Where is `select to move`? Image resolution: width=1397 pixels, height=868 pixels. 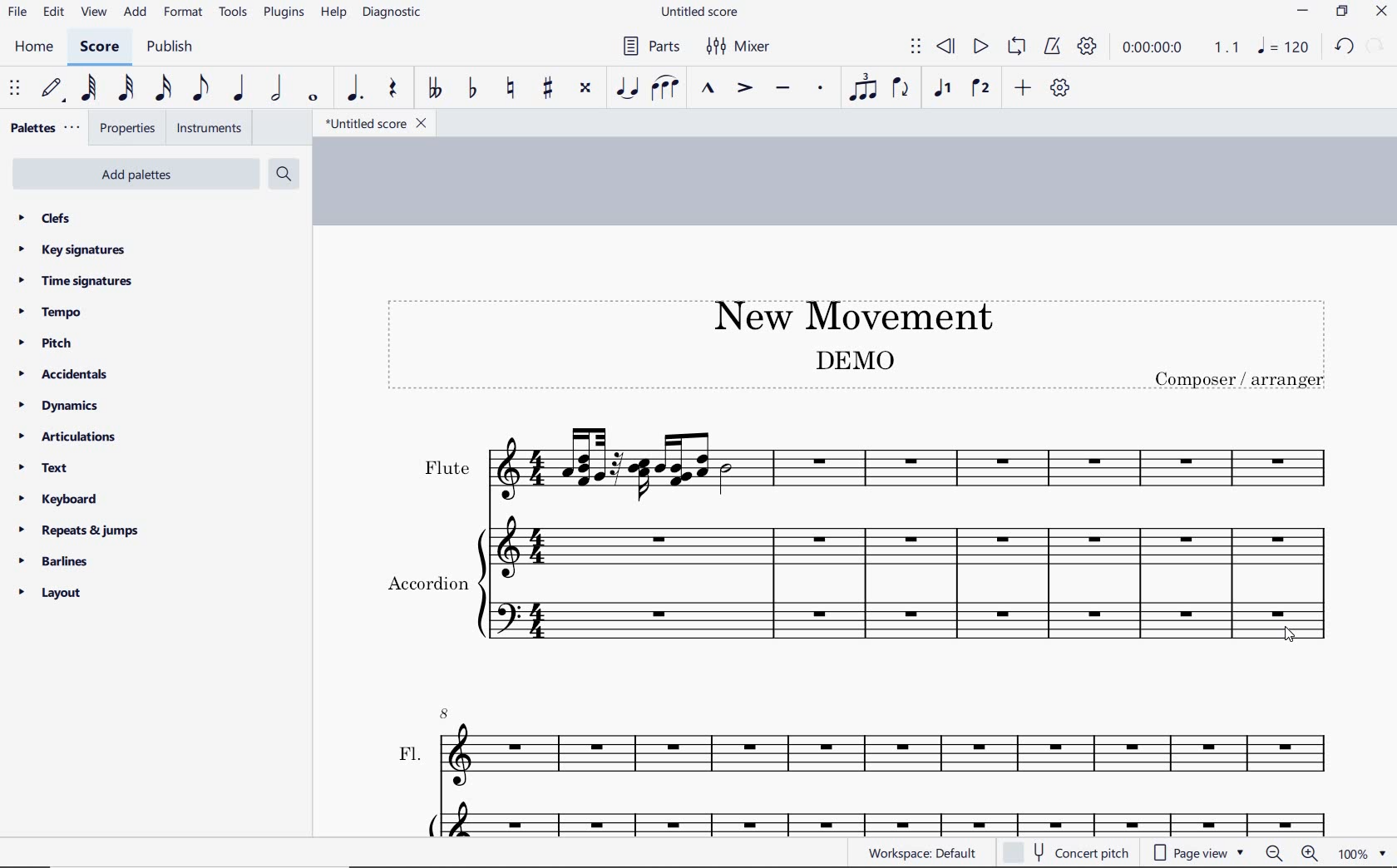 select to move is located at coordinates (916, 47).